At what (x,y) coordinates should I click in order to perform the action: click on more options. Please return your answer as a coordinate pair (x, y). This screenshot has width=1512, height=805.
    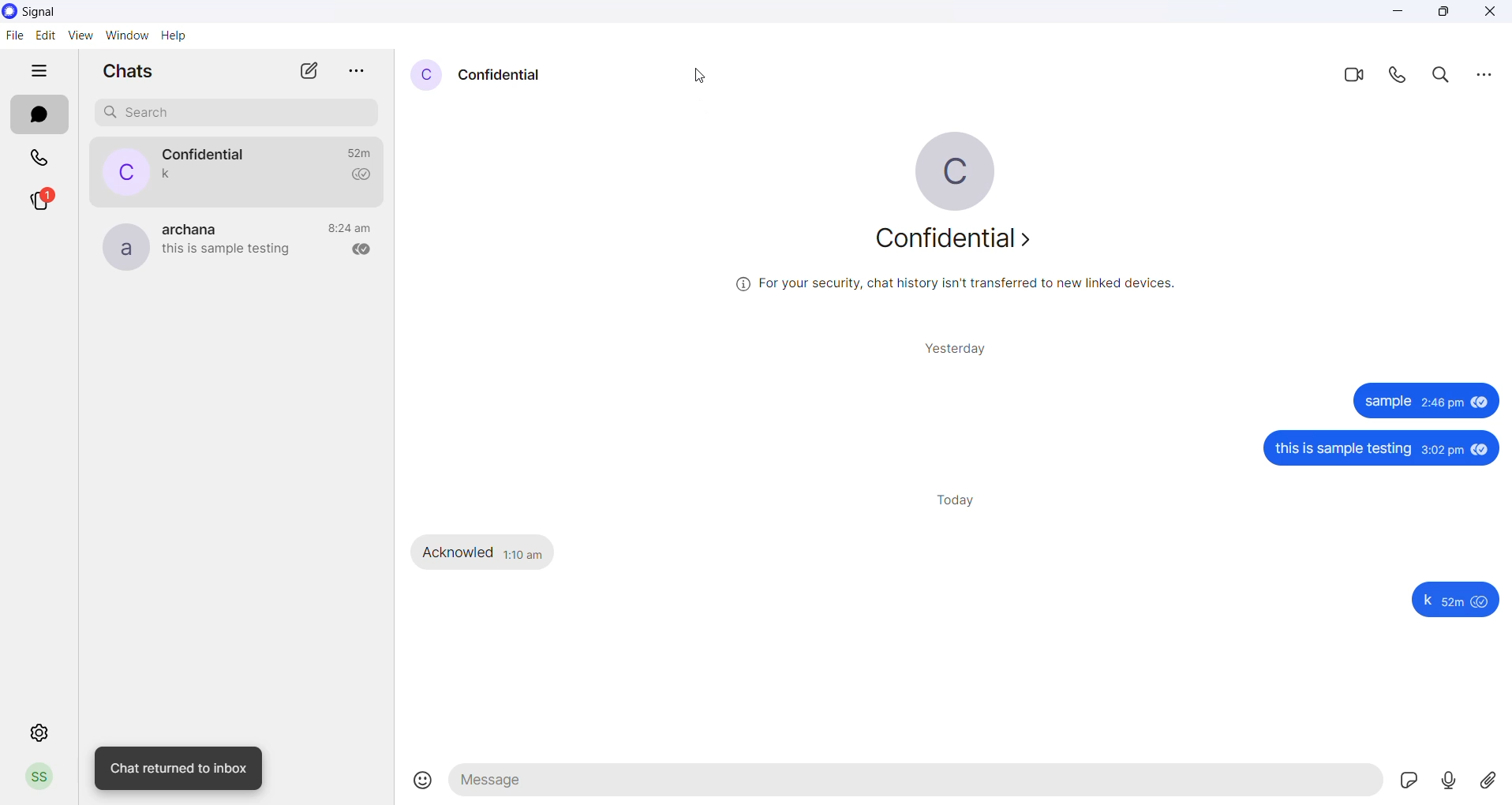
    Looking at the image, I should click on (1485, 75).